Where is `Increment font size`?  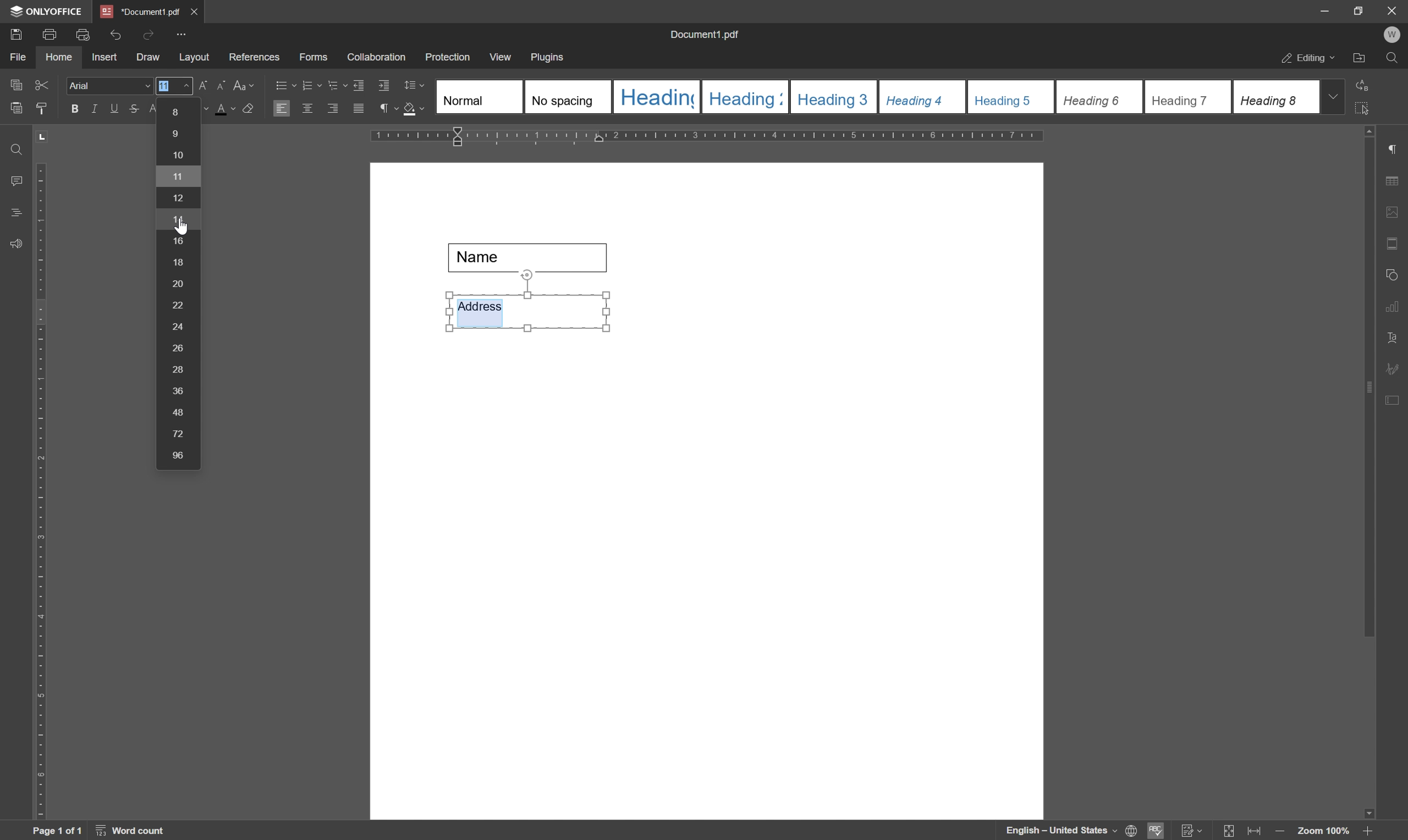
Increment font size is located at coordinates (198, 85).